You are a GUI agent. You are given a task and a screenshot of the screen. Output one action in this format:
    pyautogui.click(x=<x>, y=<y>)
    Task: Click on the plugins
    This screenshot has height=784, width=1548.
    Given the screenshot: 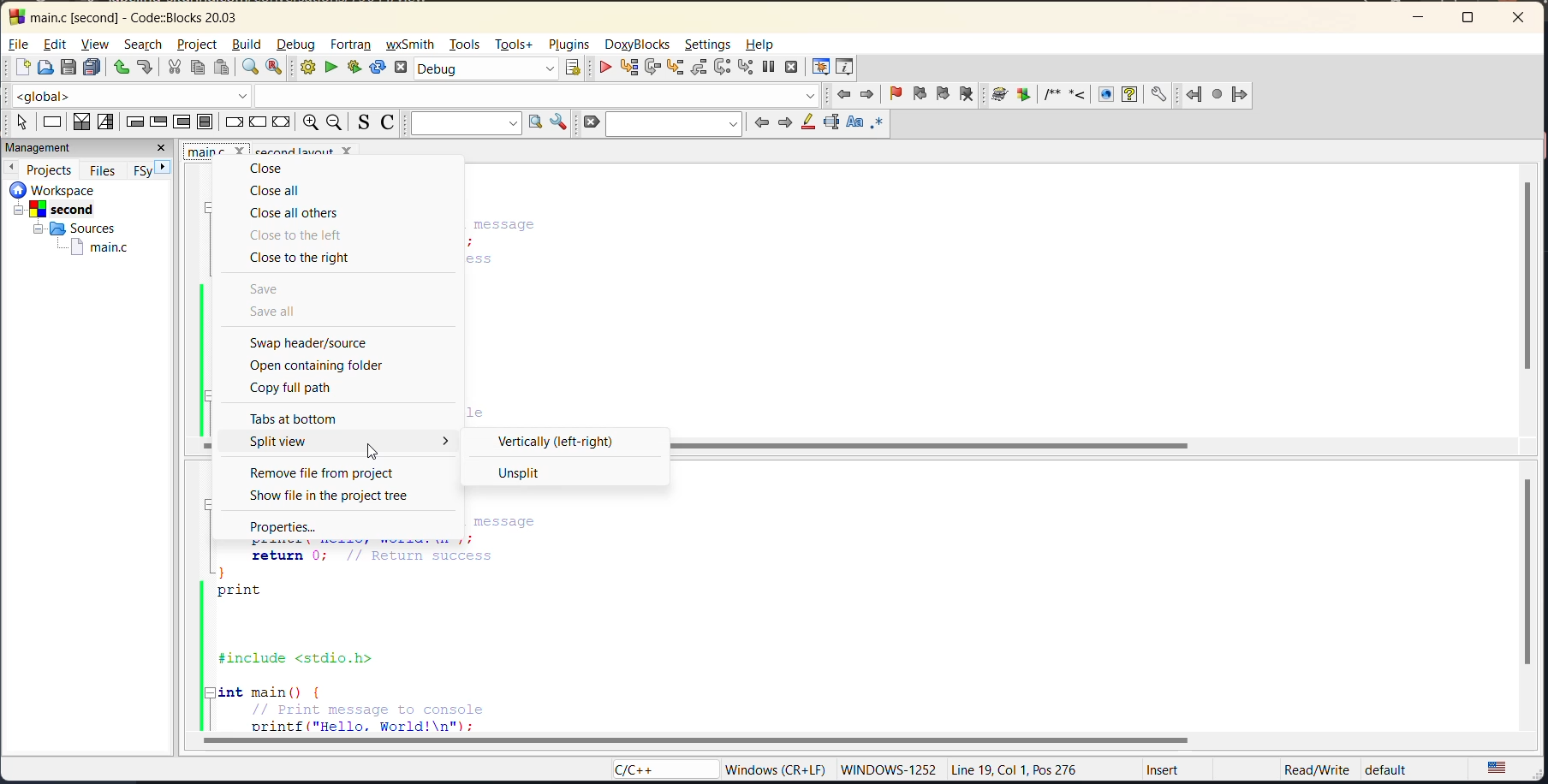 What is the action you would take?
    pyautogui.click(x=571, y=43)
    